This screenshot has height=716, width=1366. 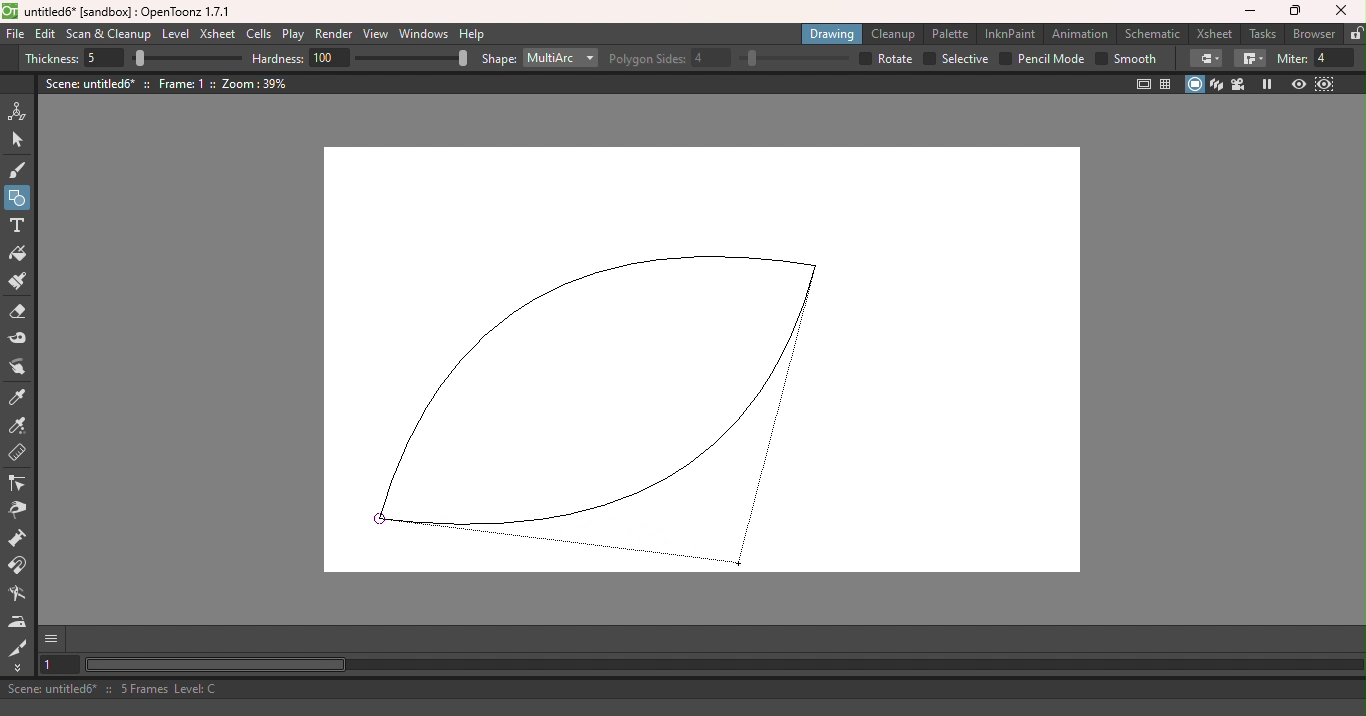 What do you see at coordinates (561, 59) in the screenshot?
I see `Multiarc` at bounding box center [561, 59].